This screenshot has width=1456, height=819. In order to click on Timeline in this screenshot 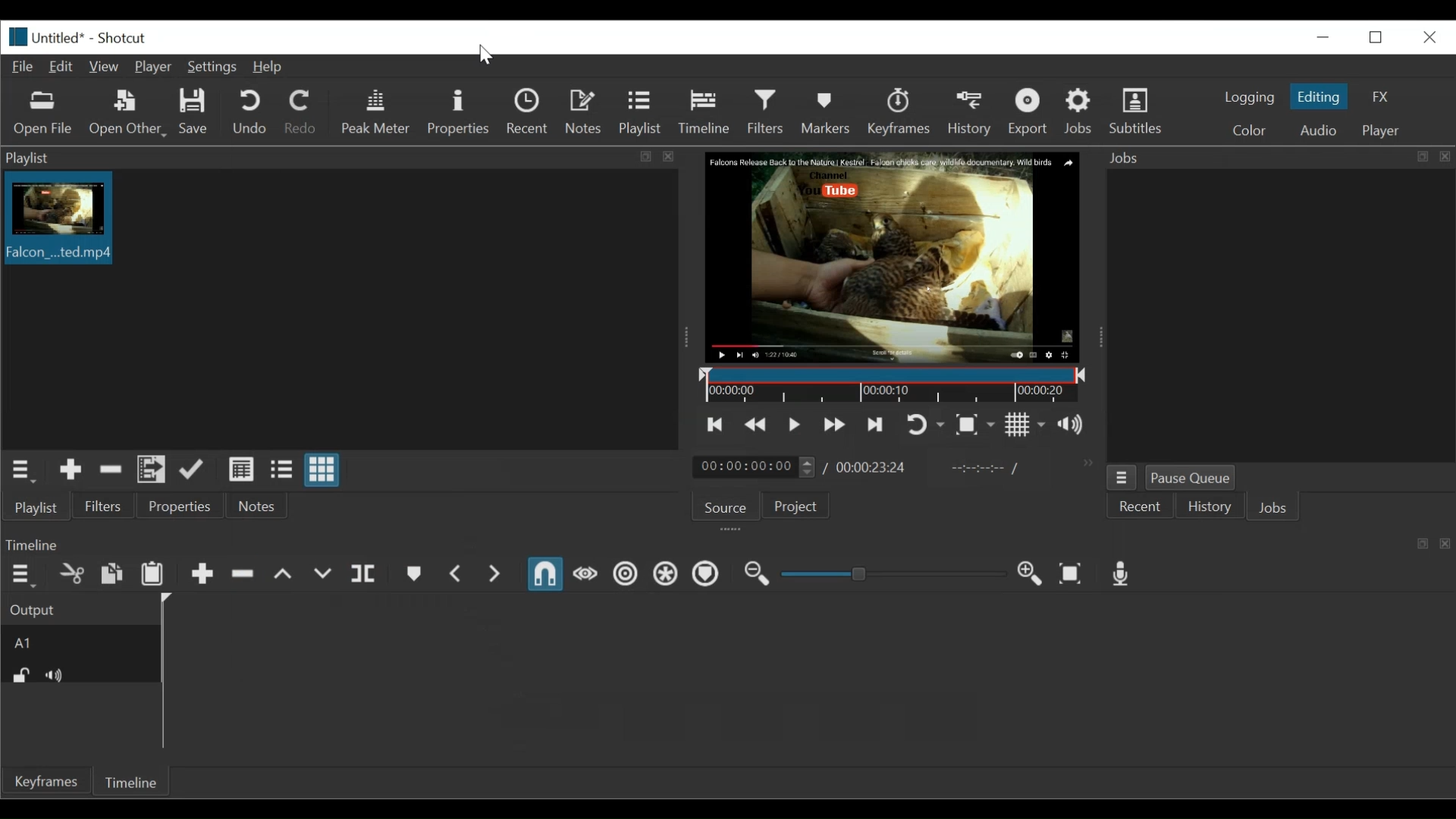, I will do `click(706, 111)`.